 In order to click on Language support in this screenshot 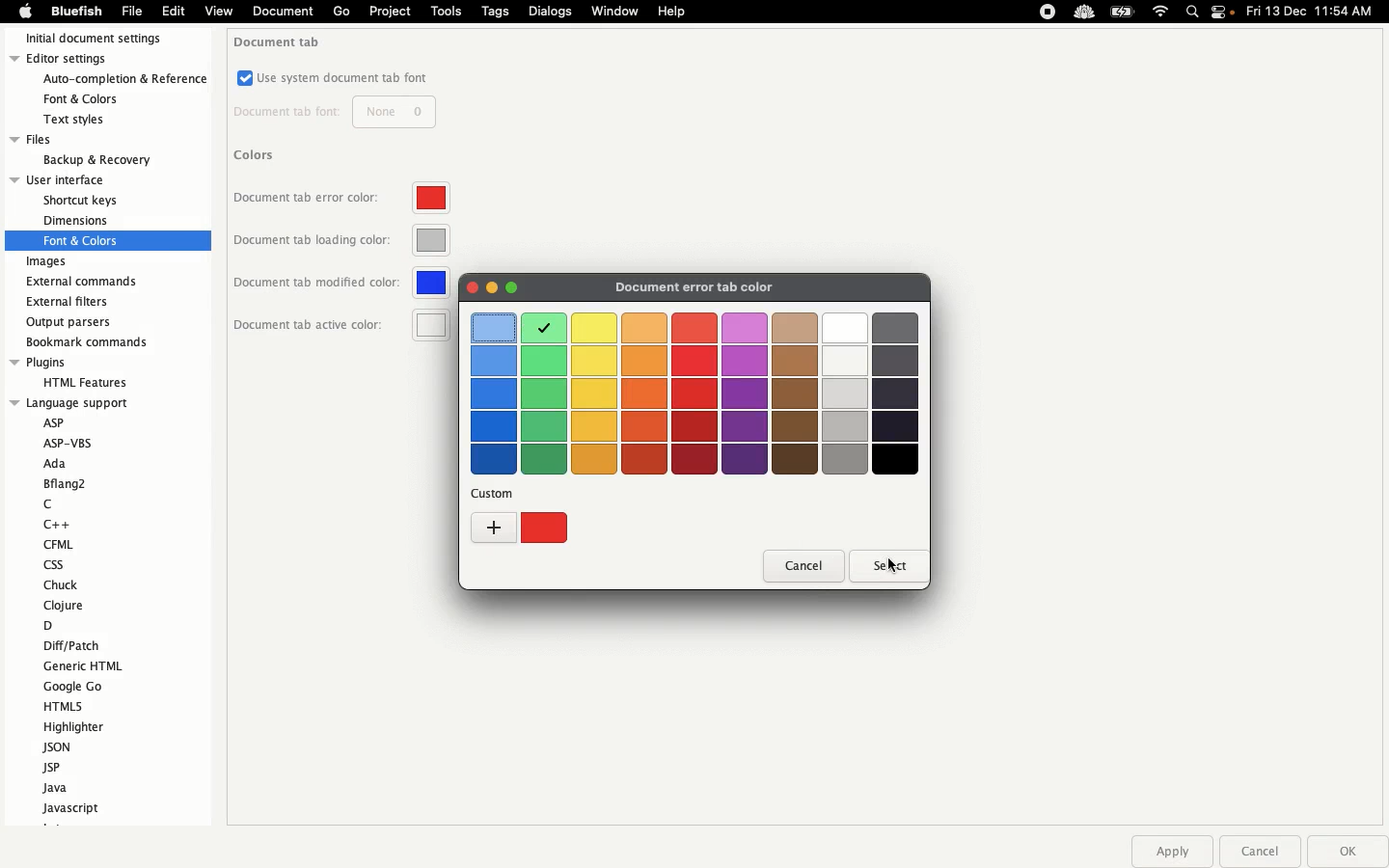, I will do `click(94, 615)`.